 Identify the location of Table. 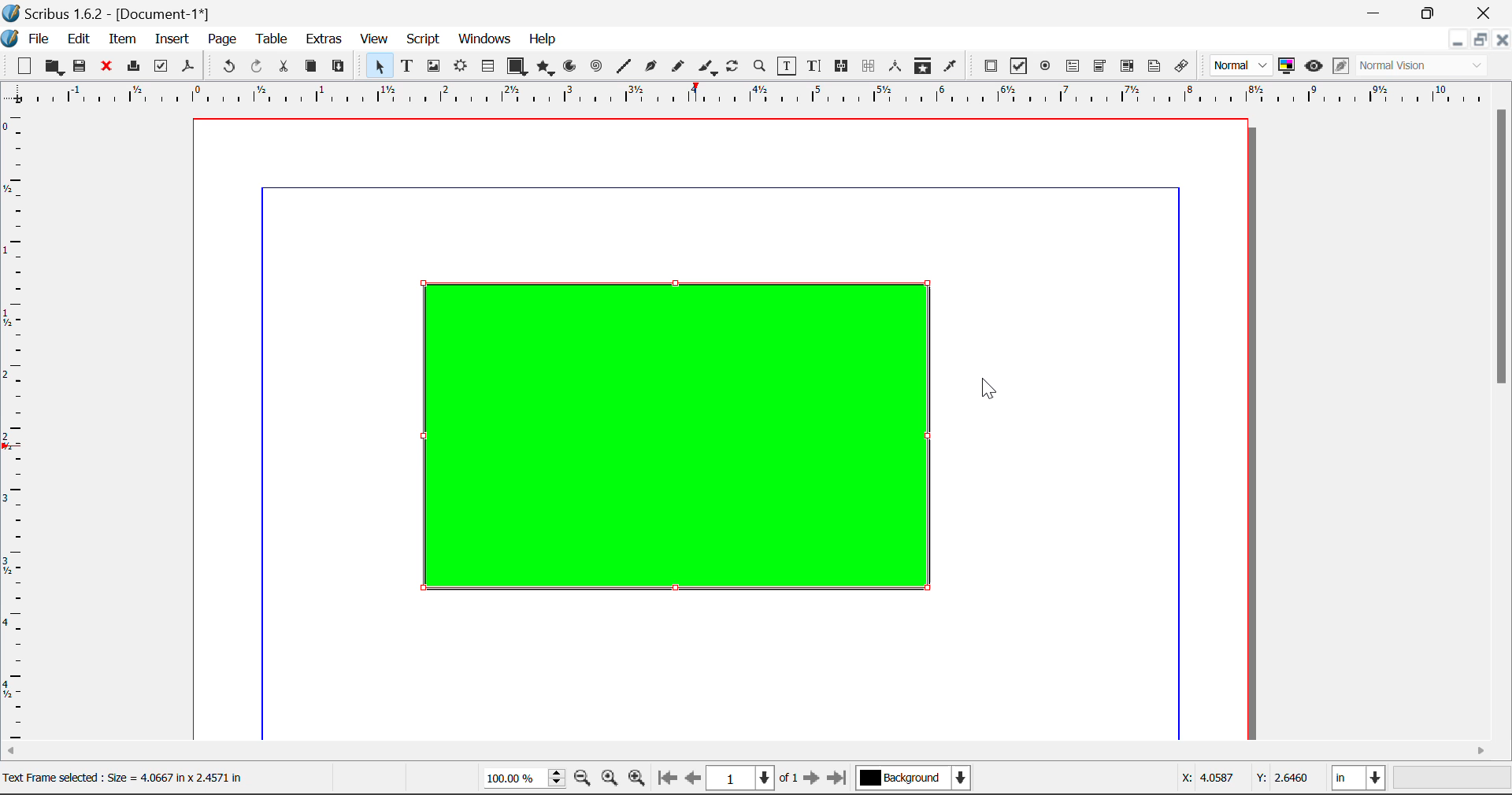
(271, 38).